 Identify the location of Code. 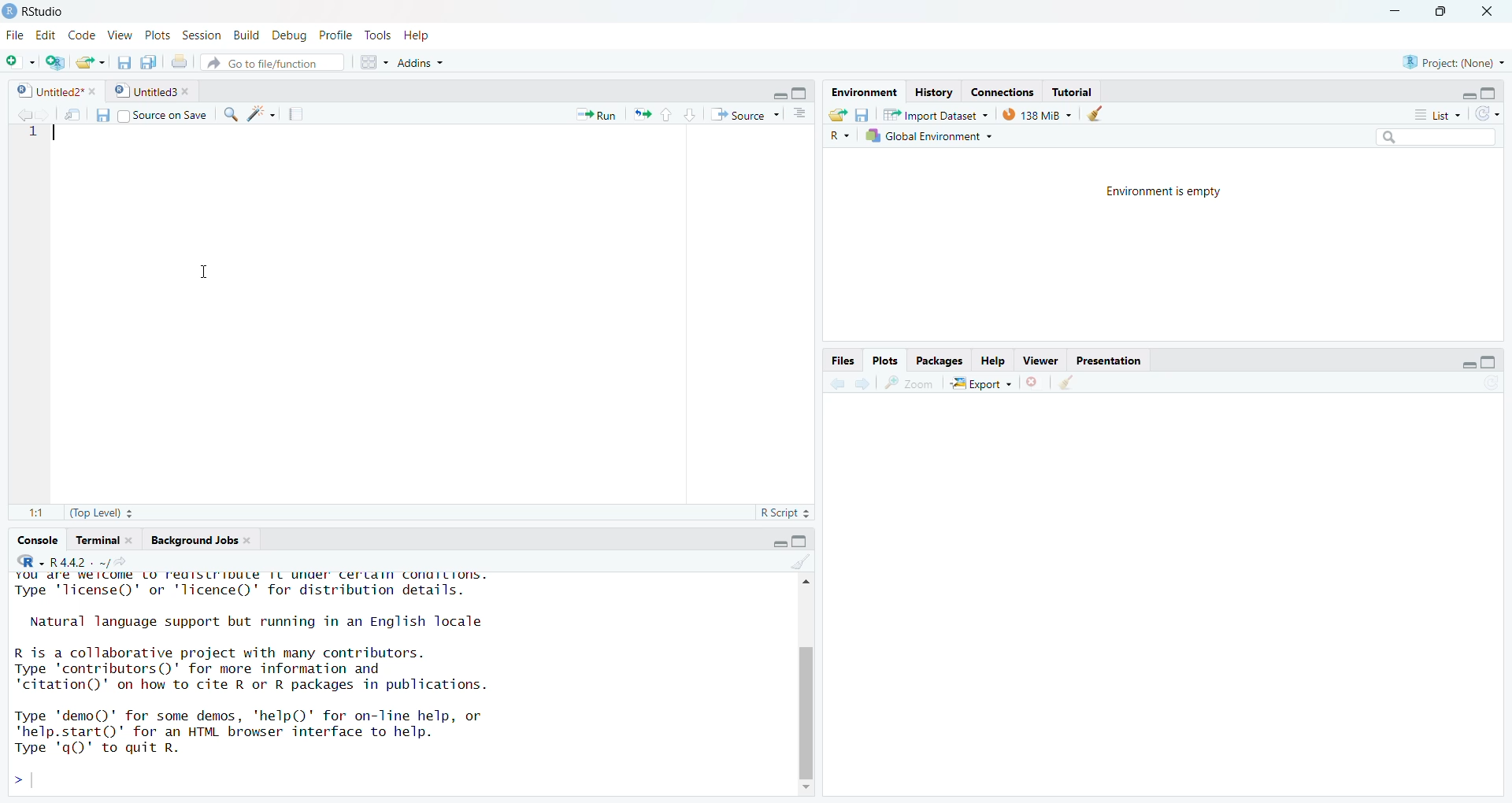
(83, 36).